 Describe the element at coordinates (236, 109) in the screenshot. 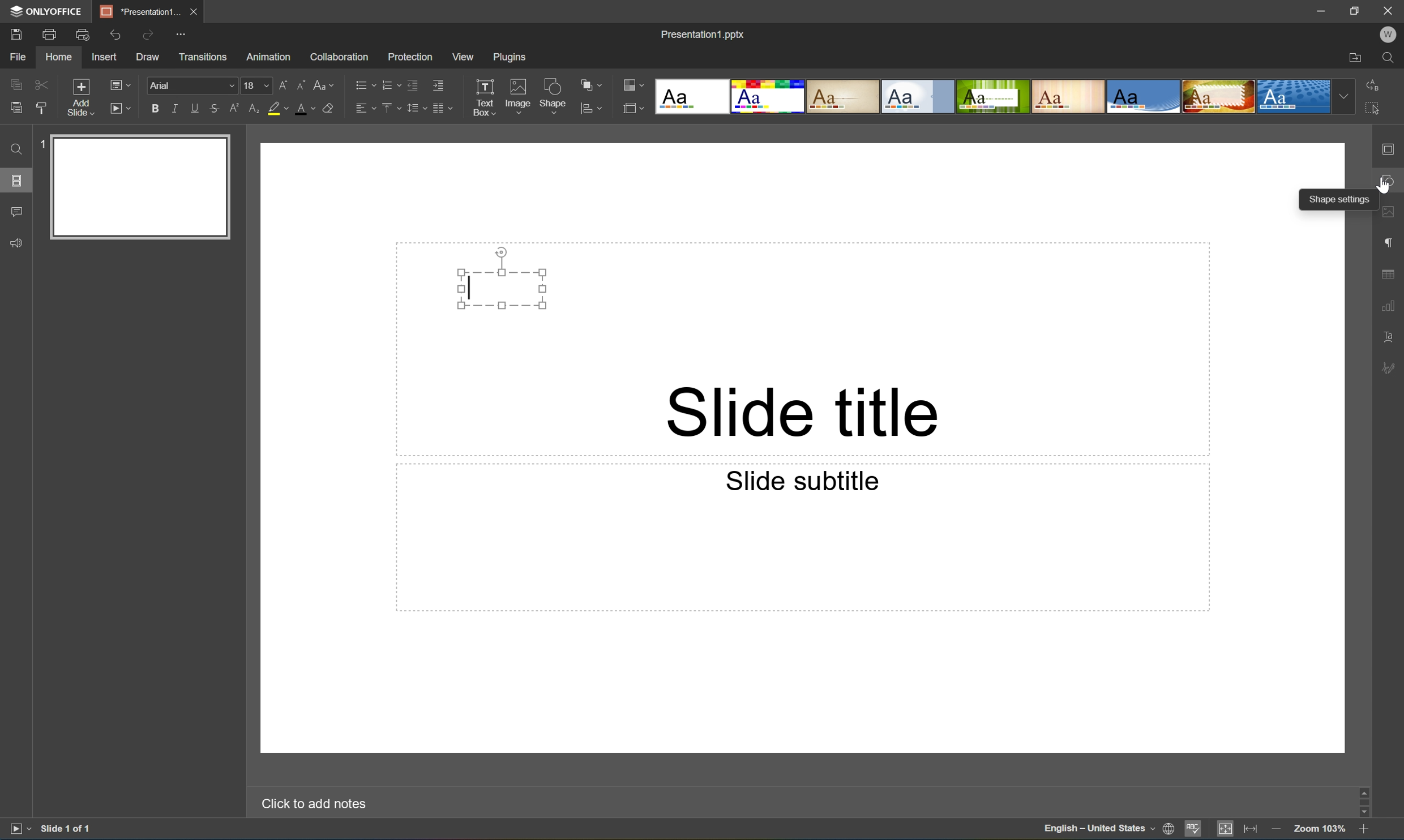

I see `Superscript` at that location.